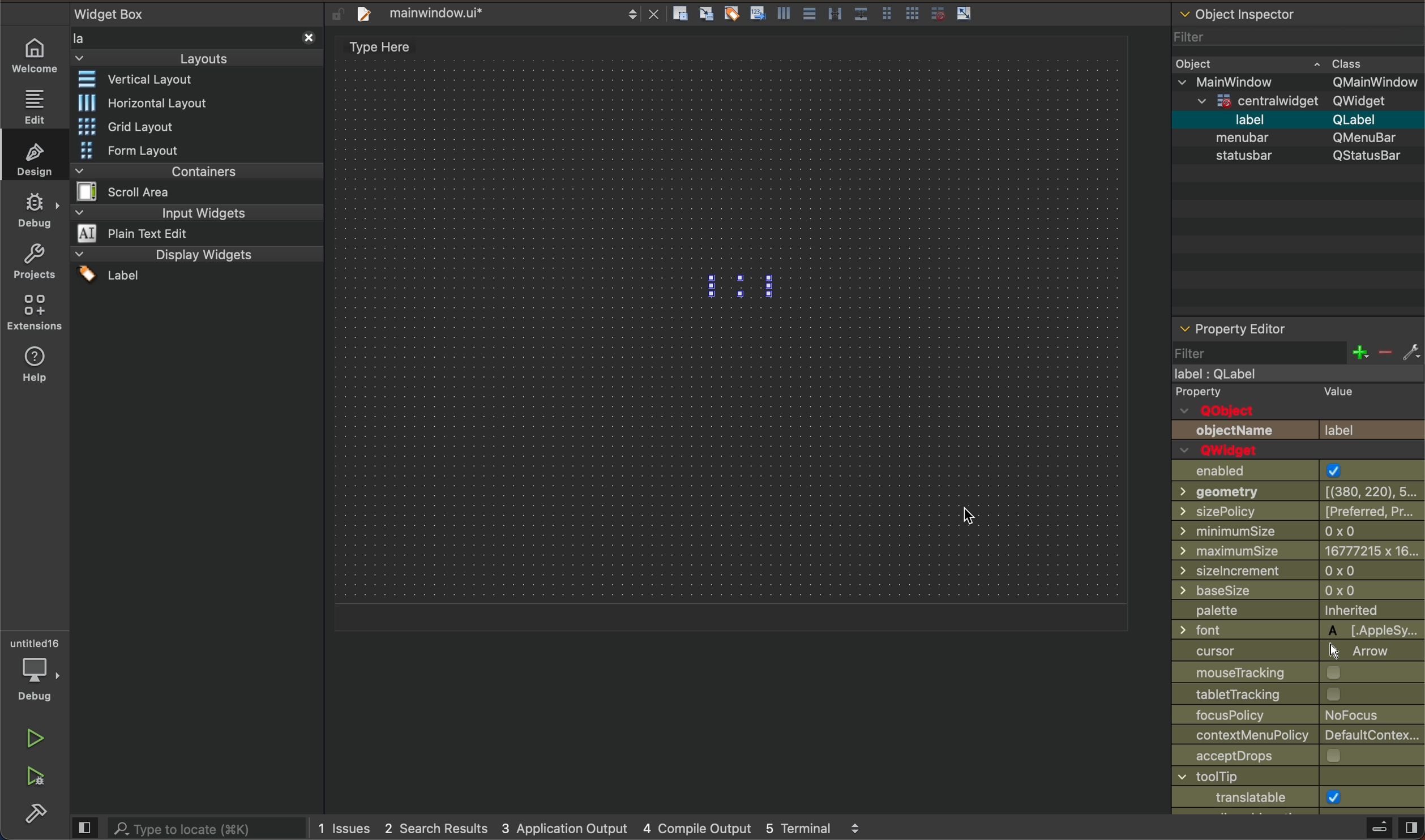 This screenshot has width=1425, height=840. Describe the element at coordinates (829, 15) in the screenshot. I see `files` at that location.